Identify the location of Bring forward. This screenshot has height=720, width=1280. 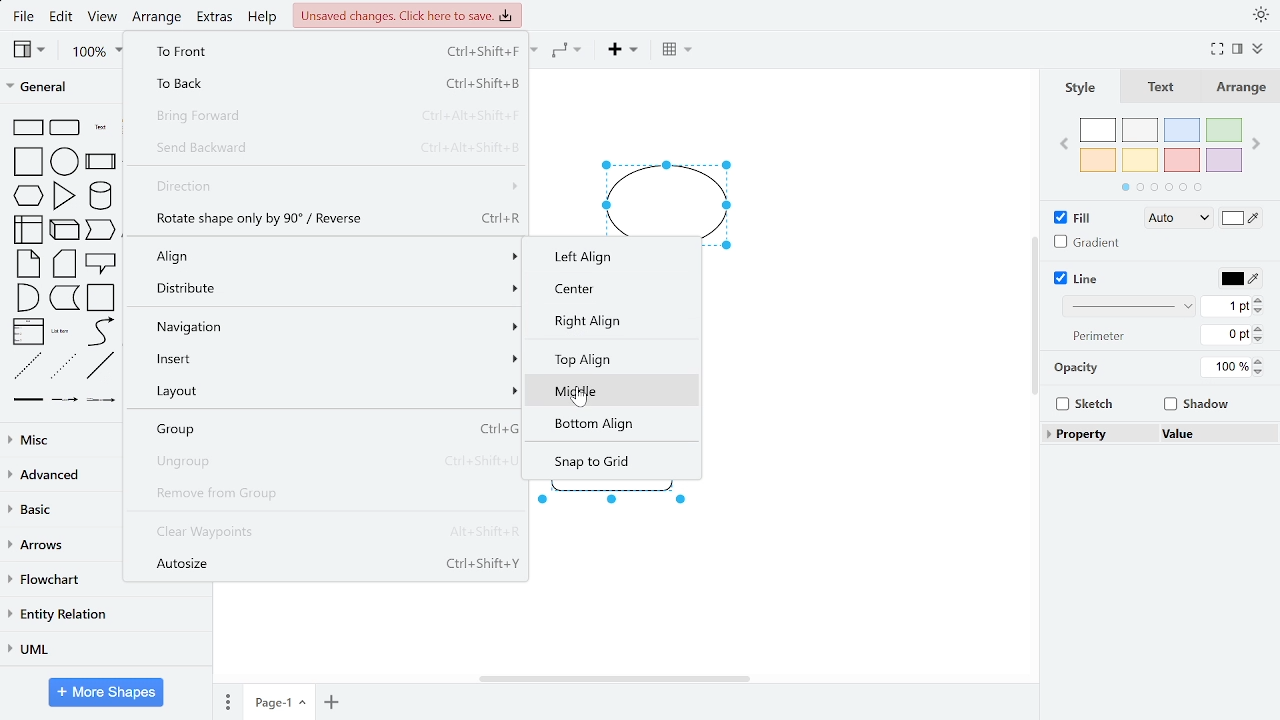
(331, 118).